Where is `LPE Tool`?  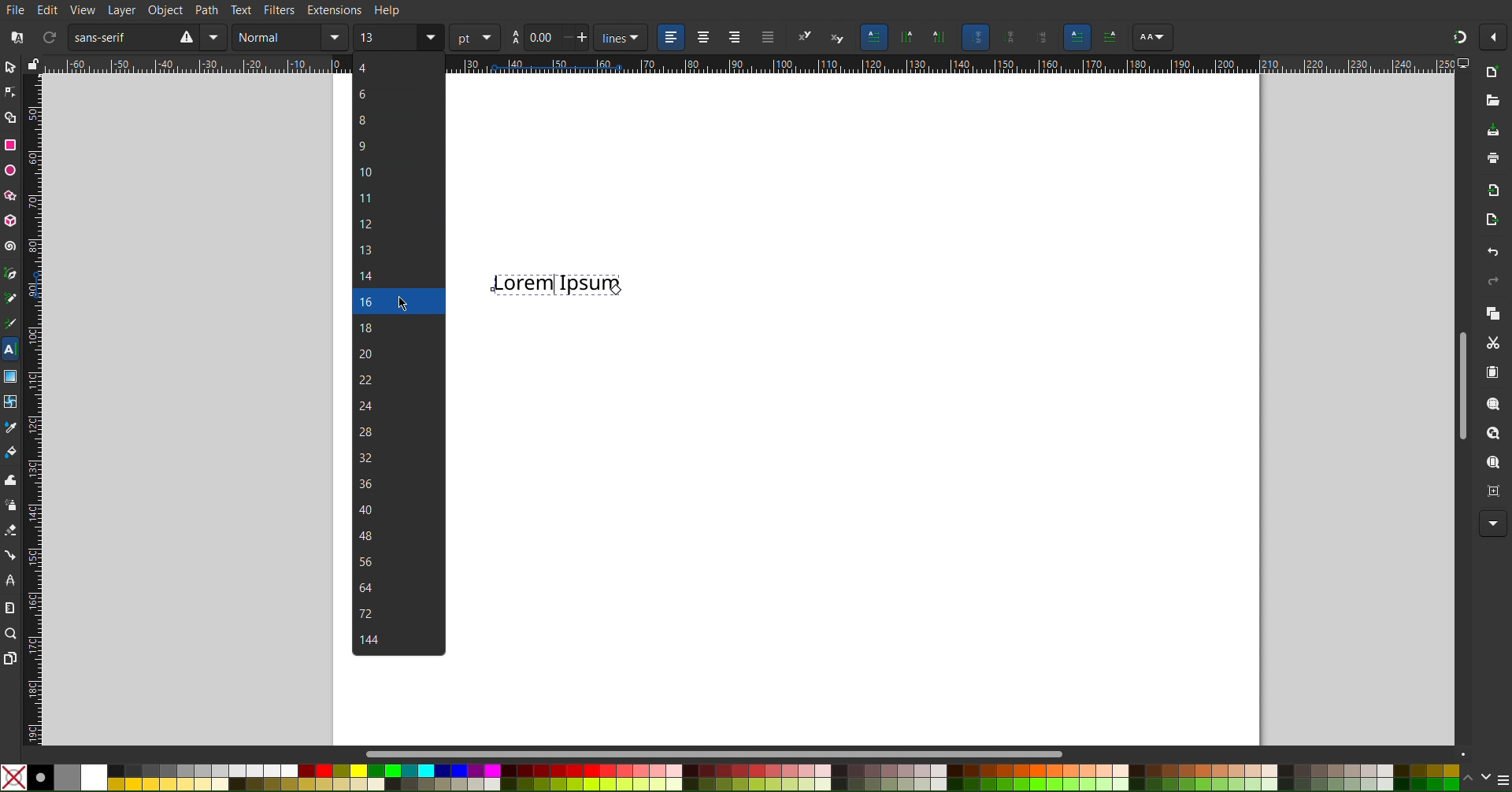 LPE Tool is located at coordinates (9, 582).